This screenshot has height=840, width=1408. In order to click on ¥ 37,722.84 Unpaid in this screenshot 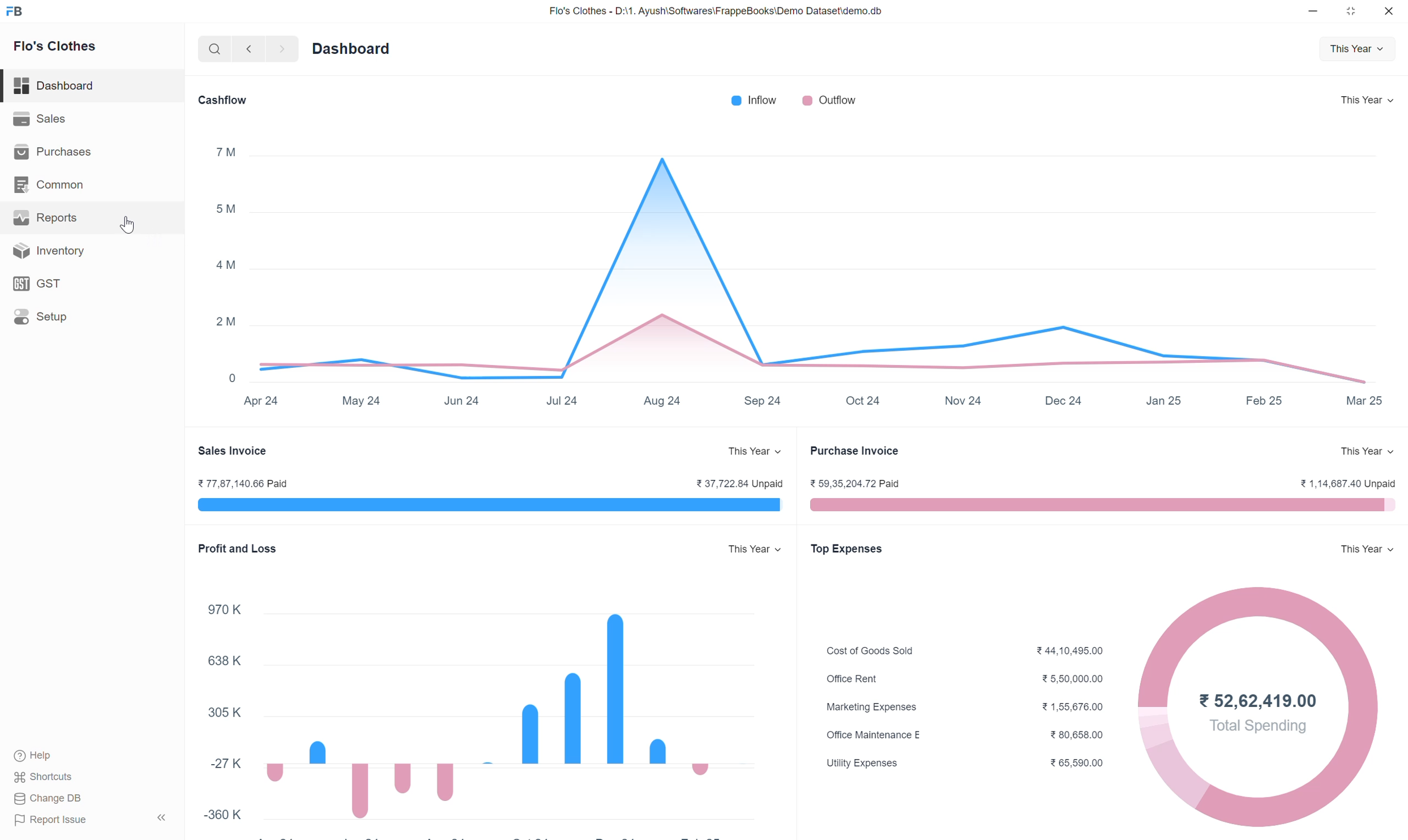, I will do `click(737, 483)`.